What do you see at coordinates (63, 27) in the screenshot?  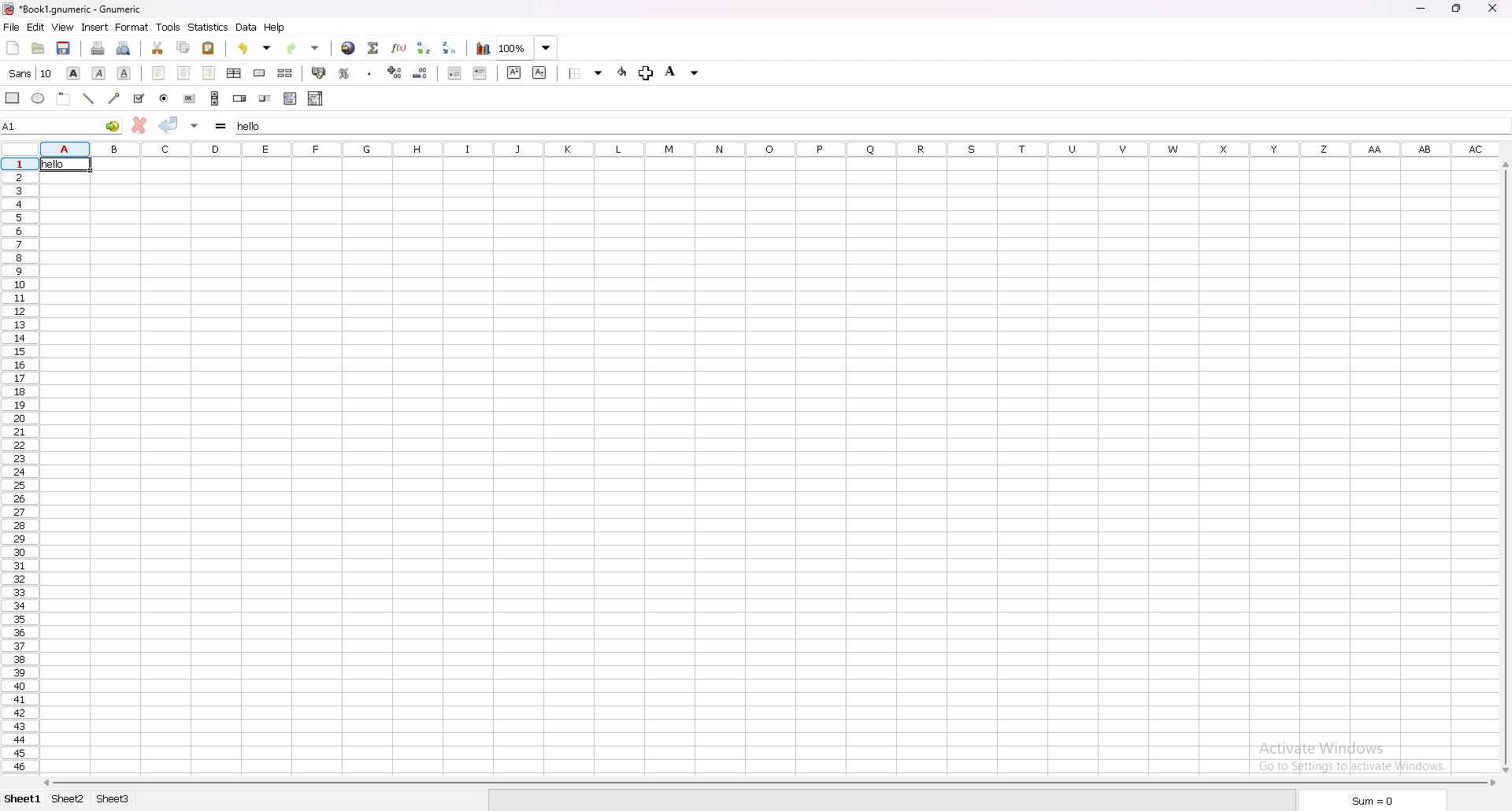 I see `view` at bounding box center [63, 27].